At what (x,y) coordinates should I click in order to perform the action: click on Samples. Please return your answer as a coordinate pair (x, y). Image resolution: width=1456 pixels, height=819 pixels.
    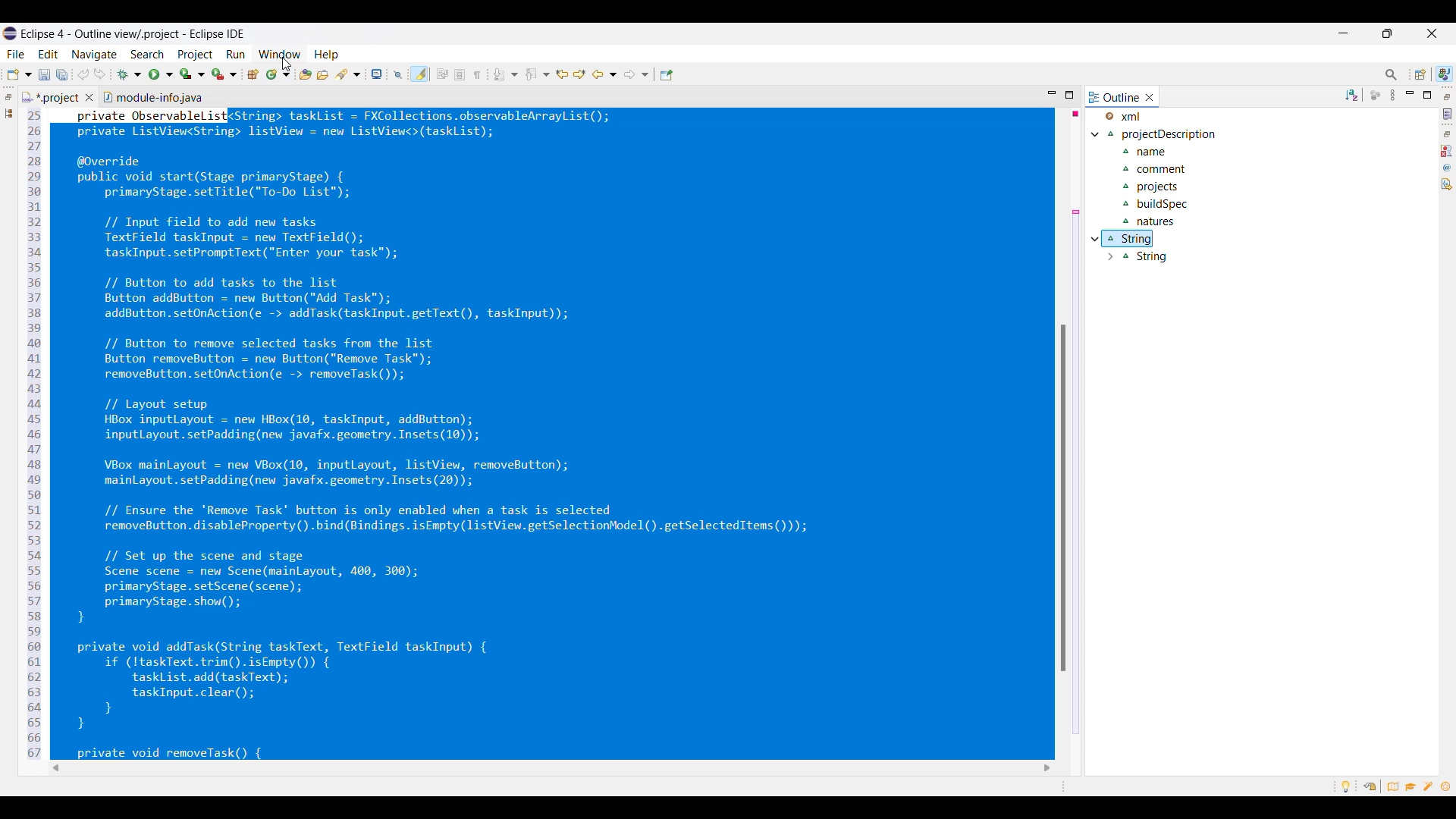
    Looking at the image, I should click on (1429, 786).